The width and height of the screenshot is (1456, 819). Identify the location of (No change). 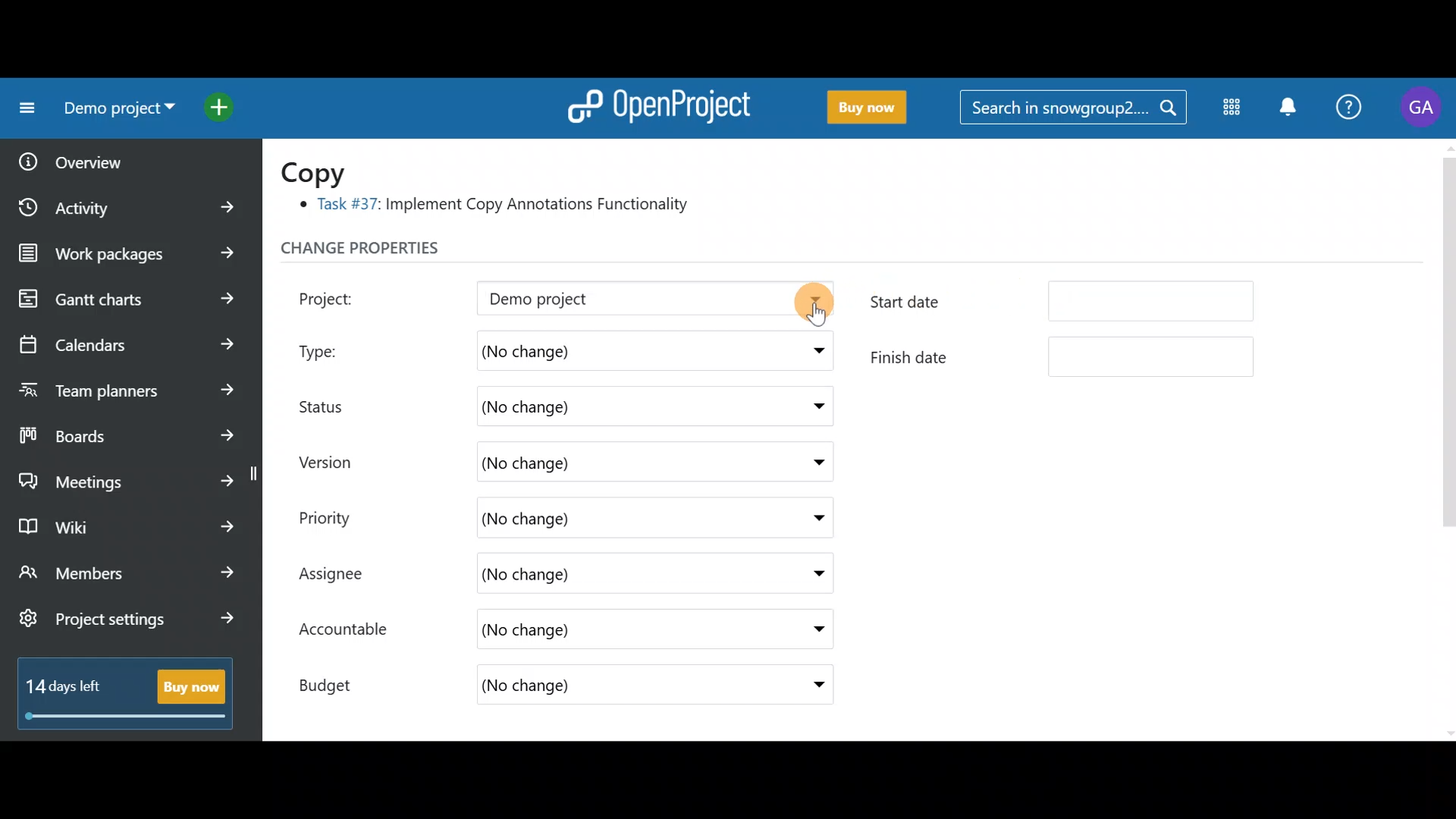
(599, 576).